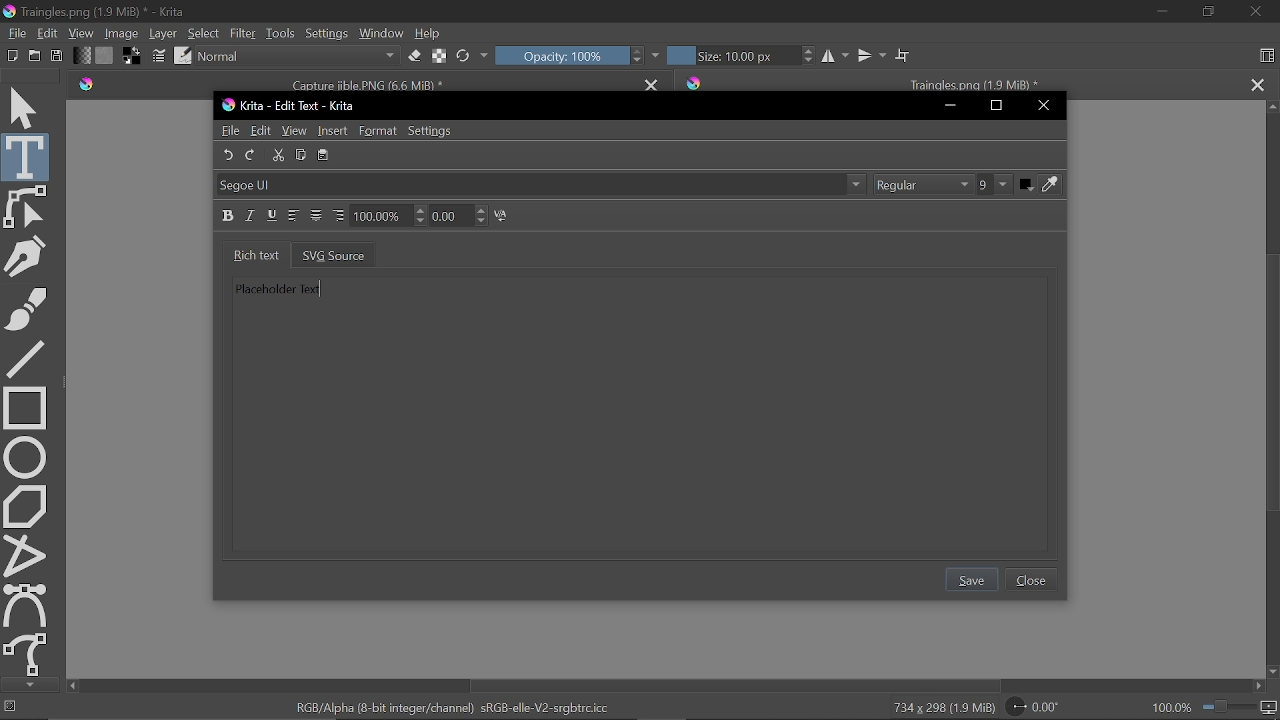 The height and width of the screenshot is (720, 1280). I want to click on Capture jible.PNG (6.6 MiB) *, so click(349, 83).